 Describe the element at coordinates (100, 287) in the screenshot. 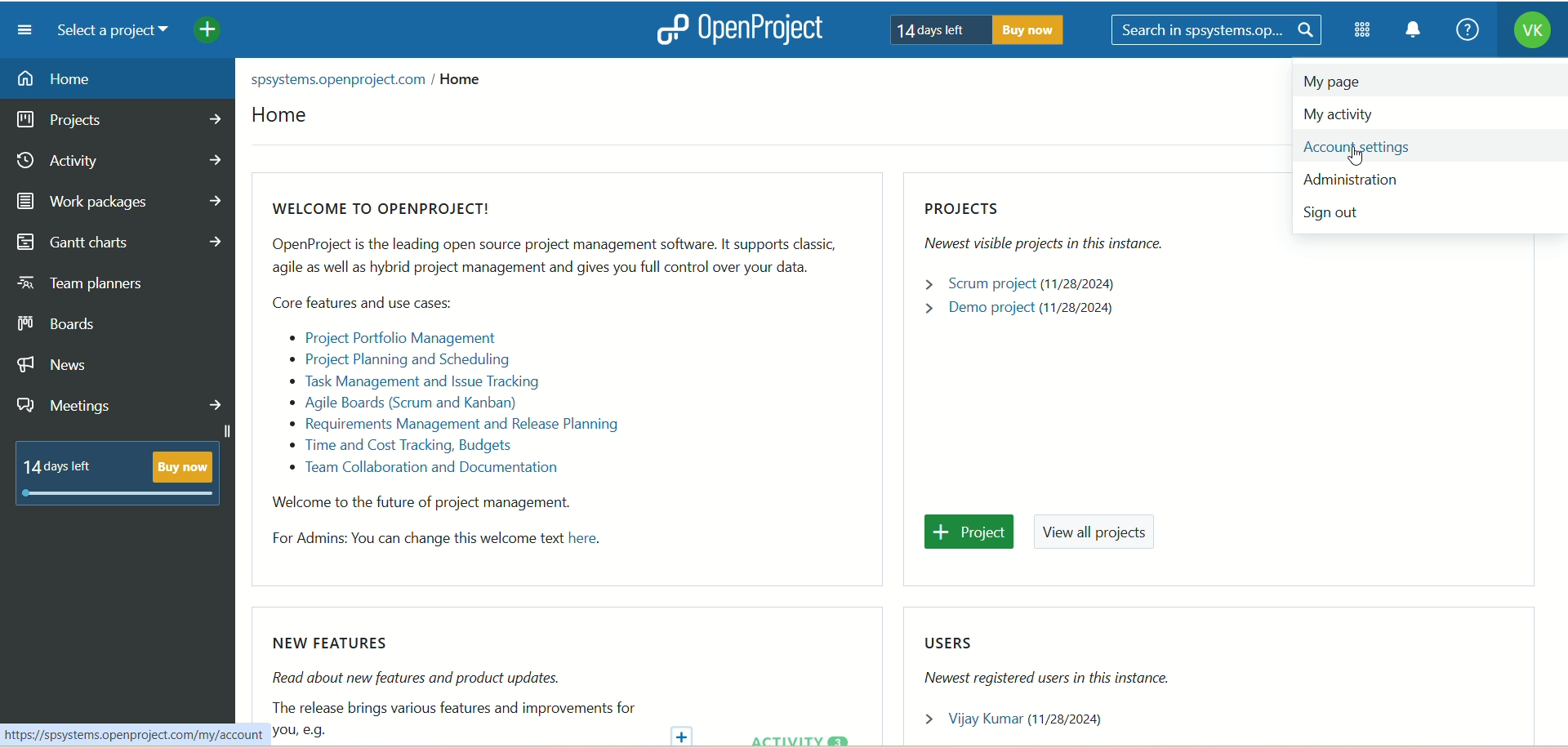

I see `team planners` at that location.